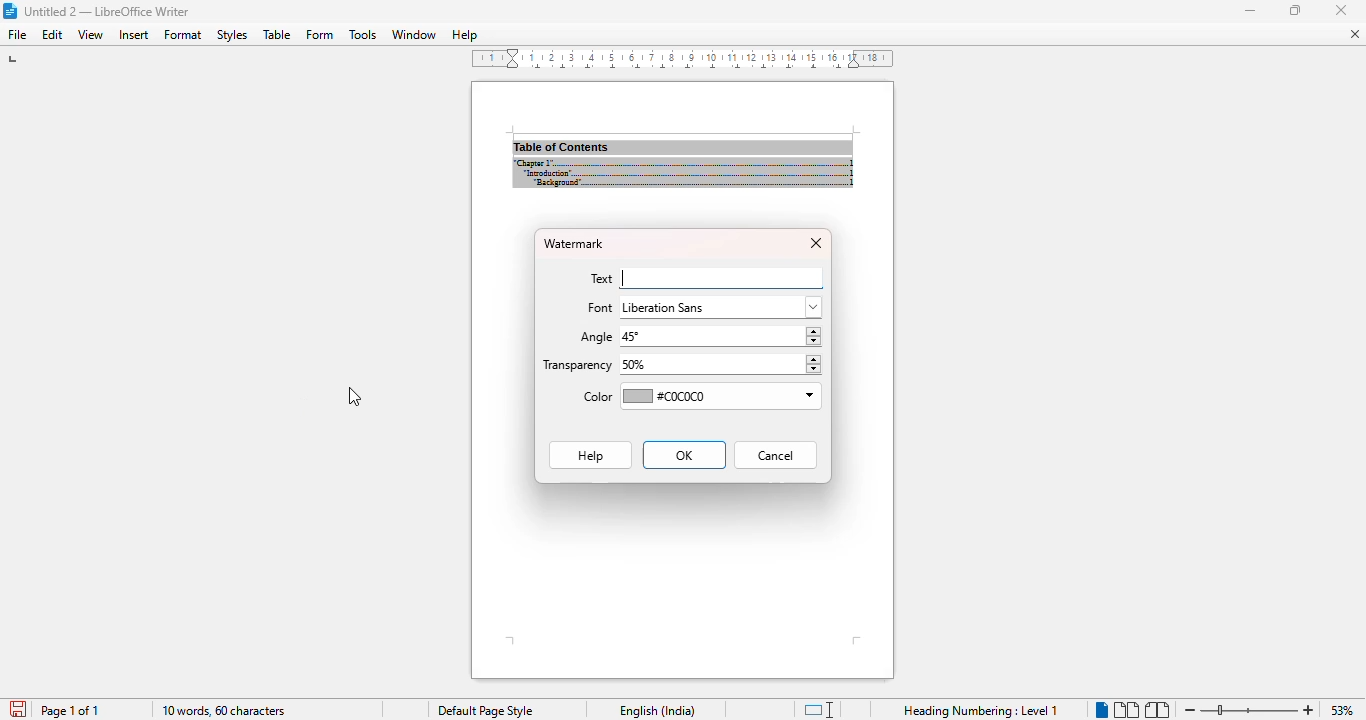 The height and width of the screenshot is (720, 1366). I want to click on logo, so click(10, 11).